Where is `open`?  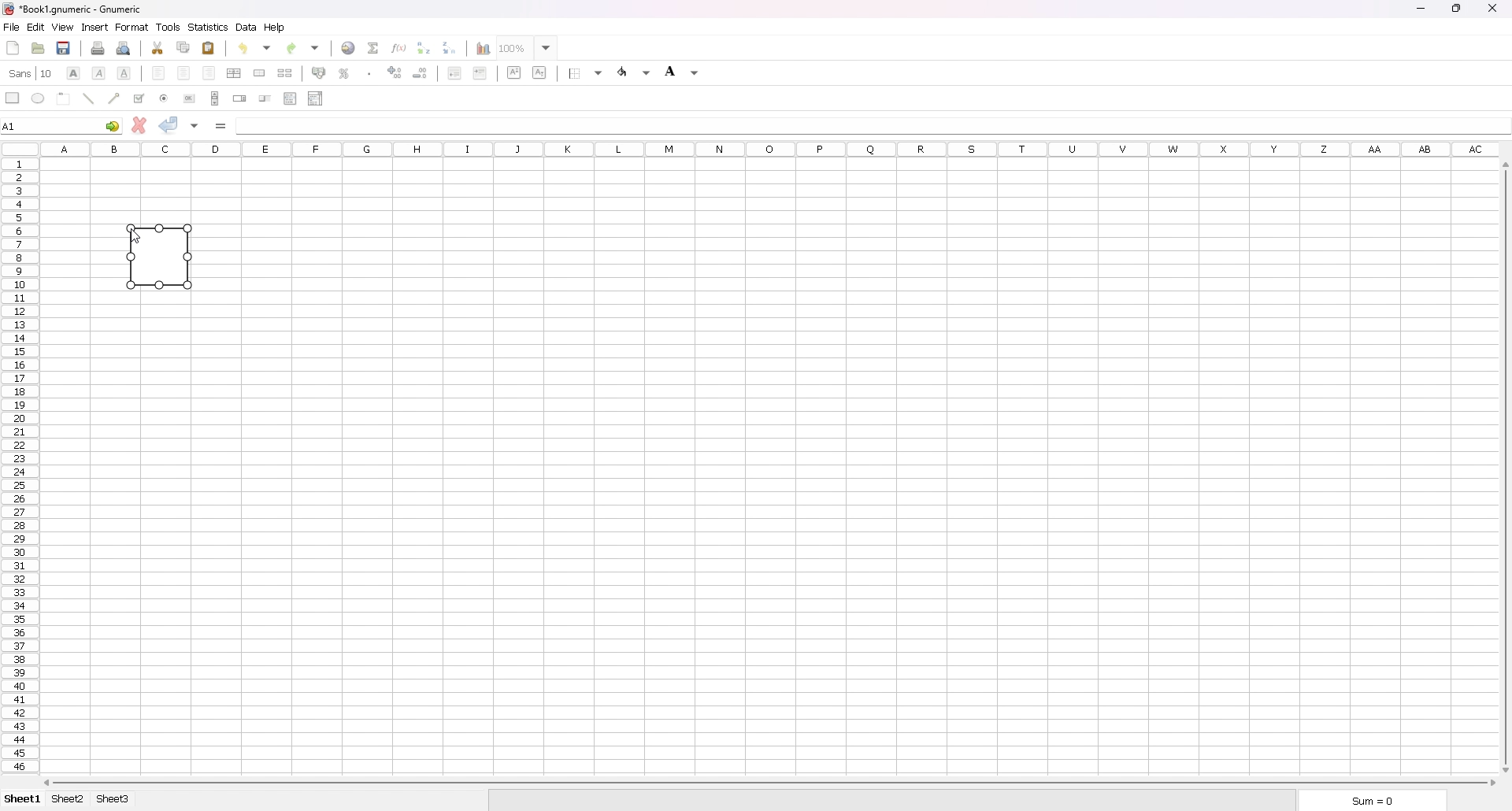 open is located at coordinates (39, 48).